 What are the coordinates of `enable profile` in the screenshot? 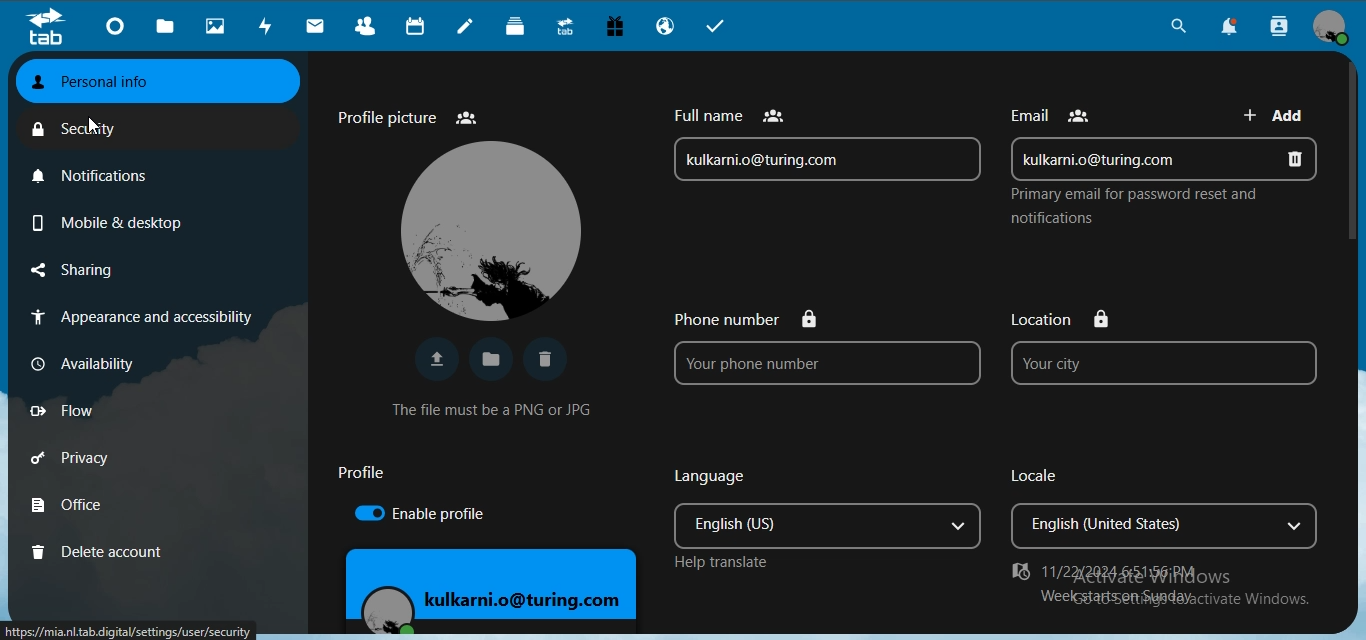 It's located at (413, 512).